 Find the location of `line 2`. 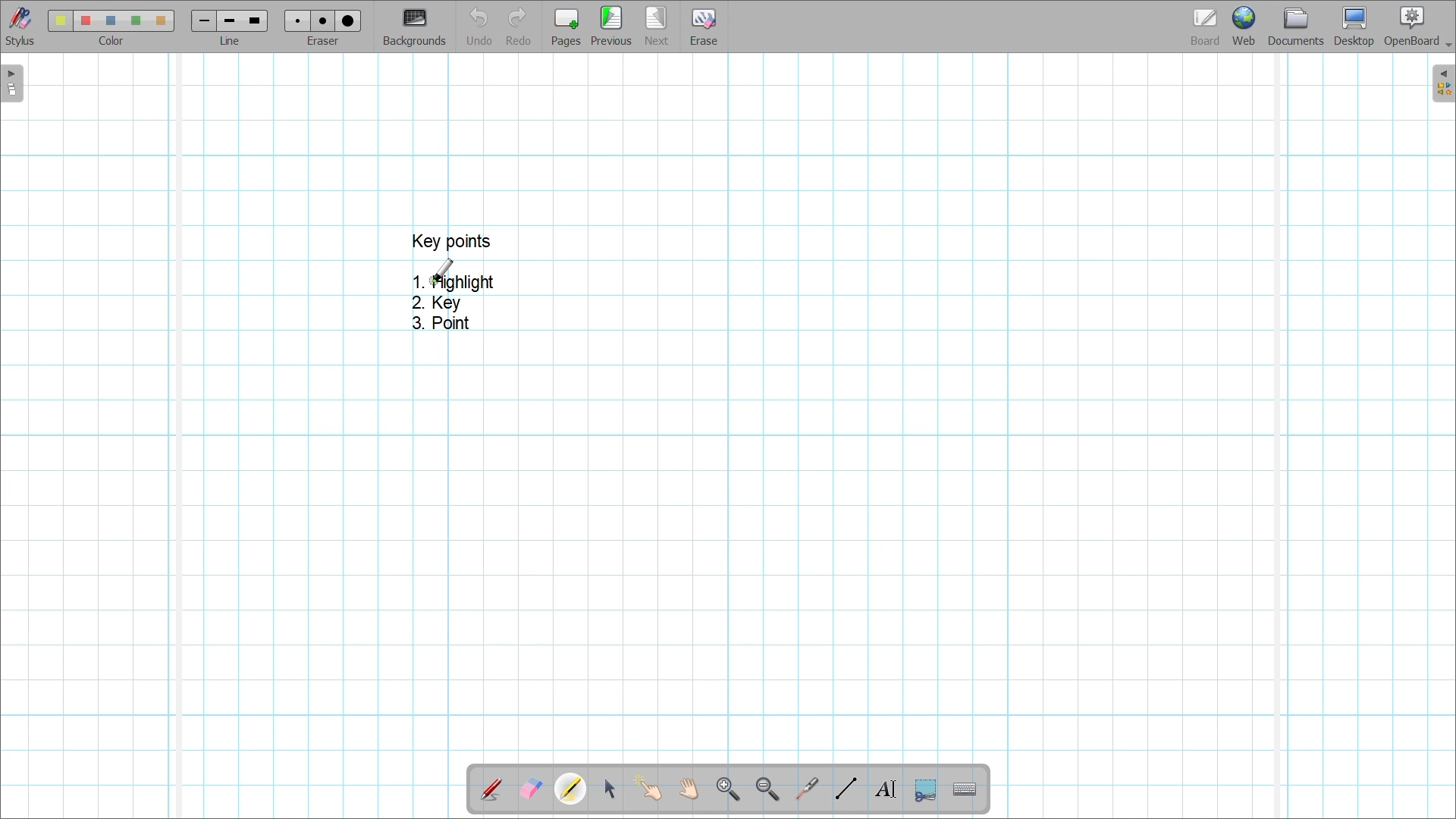

line 2 is located at coordinates (227, 21).